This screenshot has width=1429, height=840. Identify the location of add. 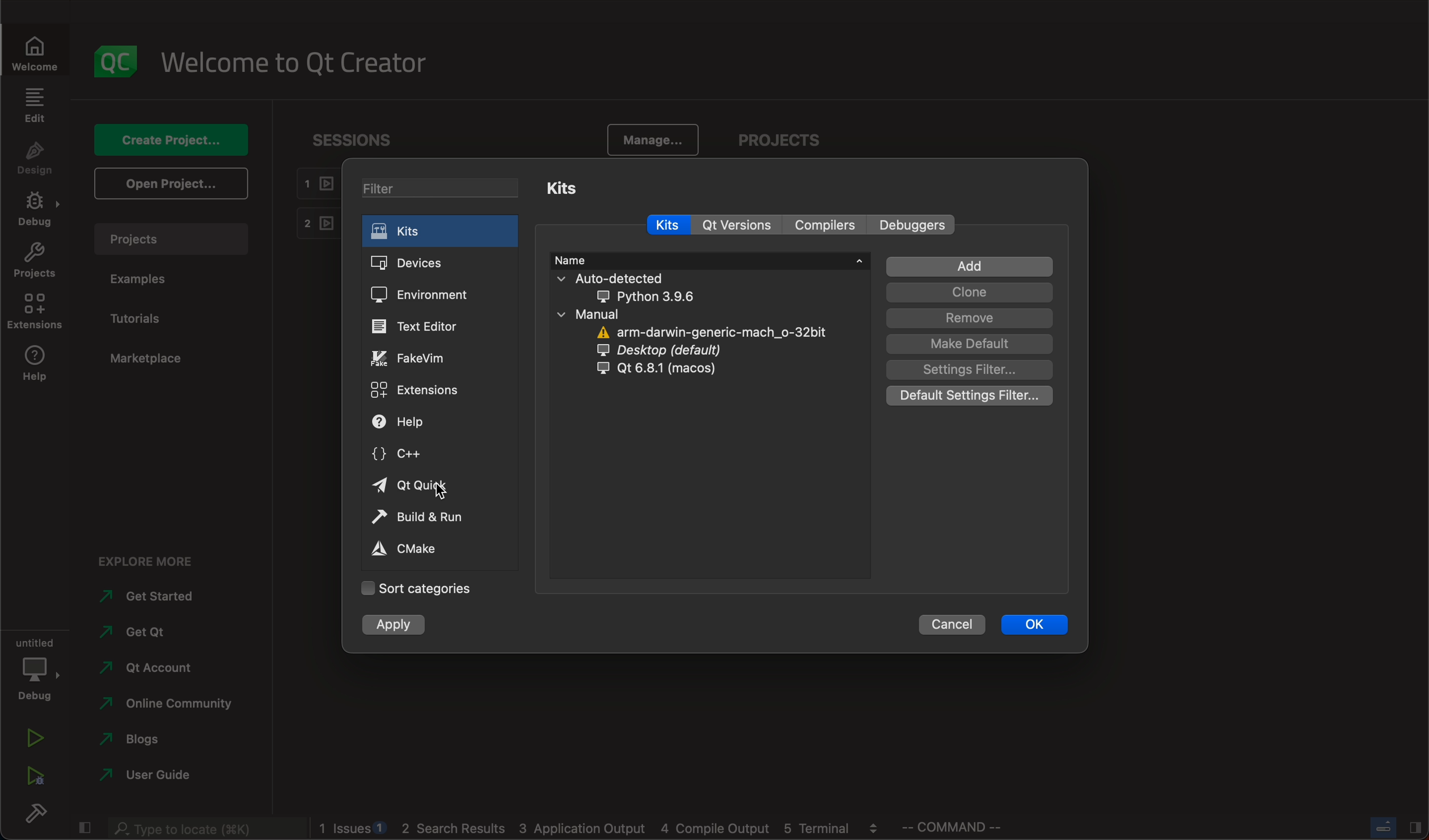
(969, 266).